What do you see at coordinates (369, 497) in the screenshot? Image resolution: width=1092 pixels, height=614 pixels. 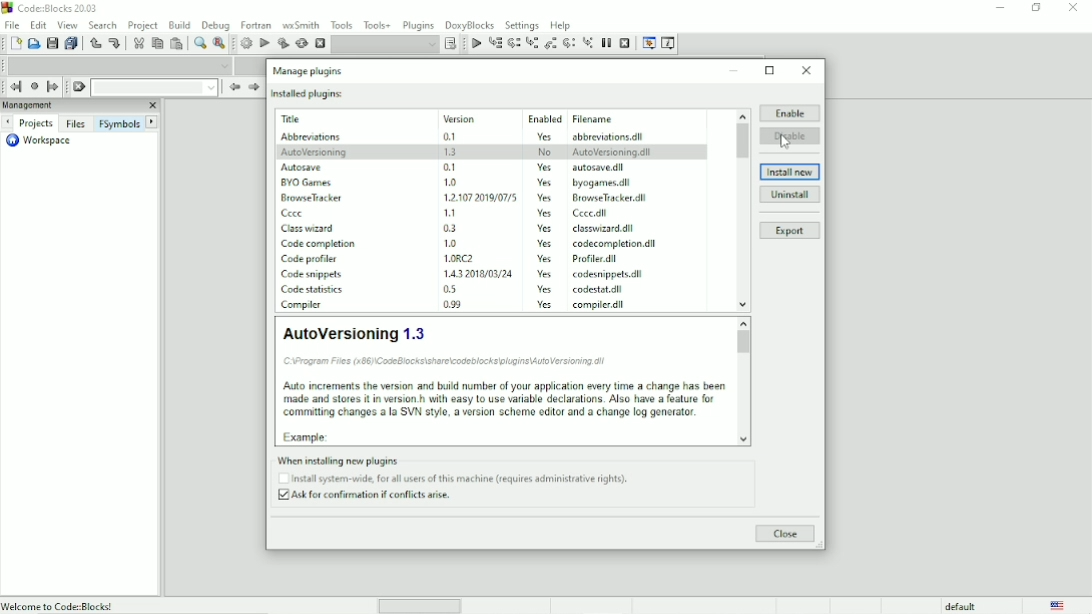 I see `Ask for confirmation if conflicts arise.` at bounding box center [369, 497].